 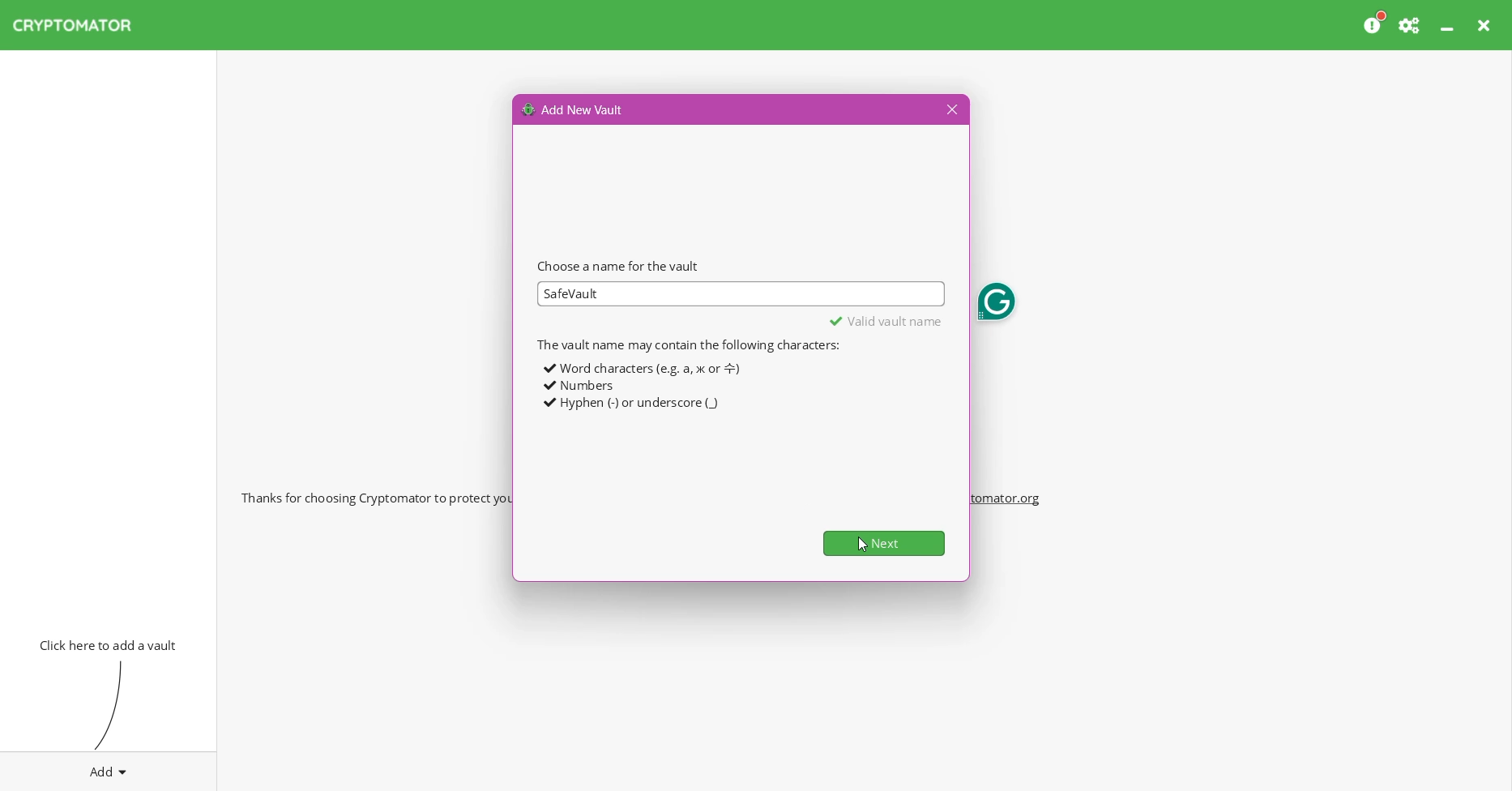 I want to click on CRYPTOMATOR Application Name, so click(x=80, y=25).